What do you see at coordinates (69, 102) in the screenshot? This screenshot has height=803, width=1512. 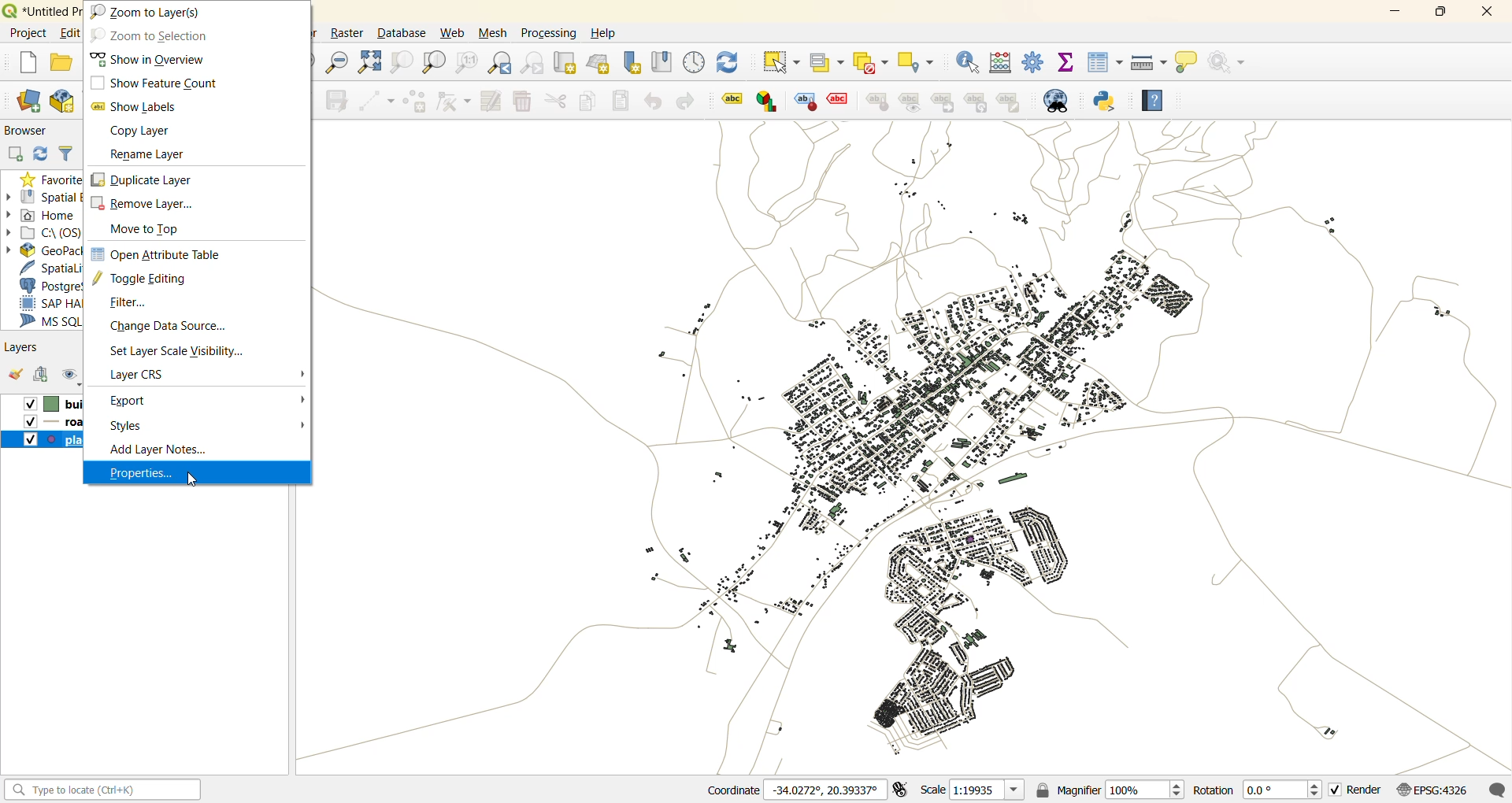 I see `new geopackage` at bounding box center [69, 102].